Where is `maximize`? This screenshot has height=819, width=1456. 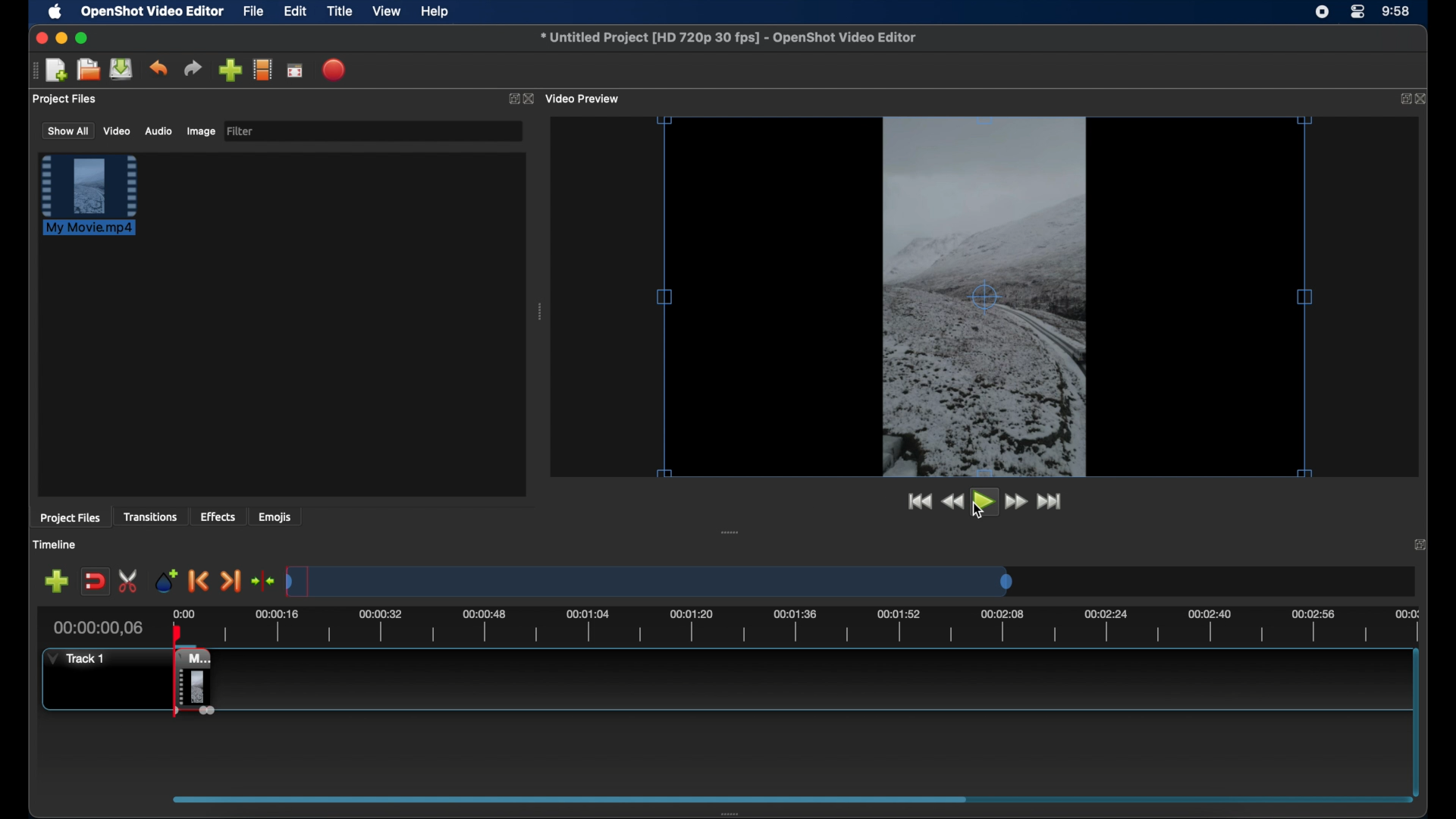 maximize is located at coordinates (82, 38).